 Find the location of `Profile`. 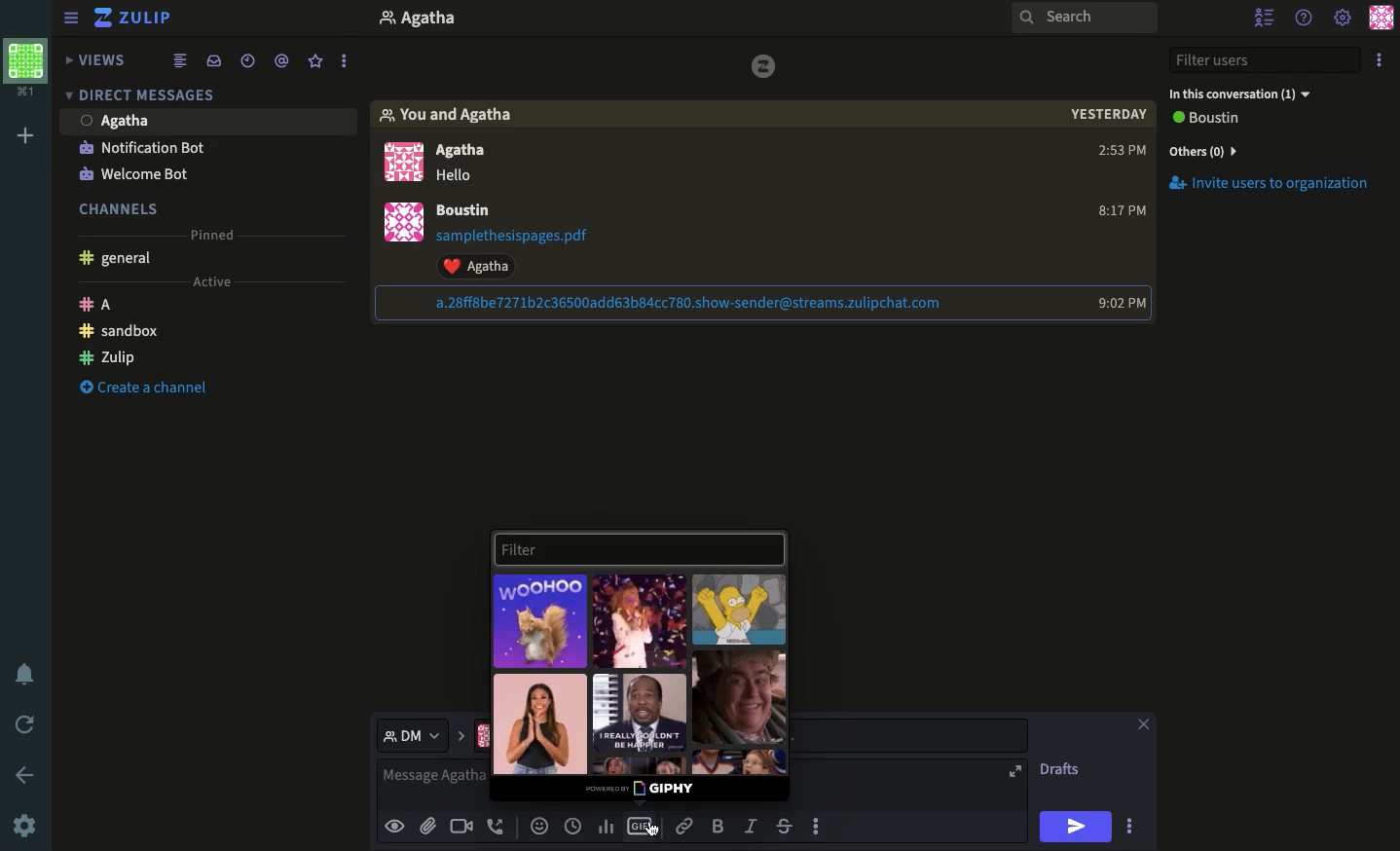

Profile is located at coordinates (399, 160).